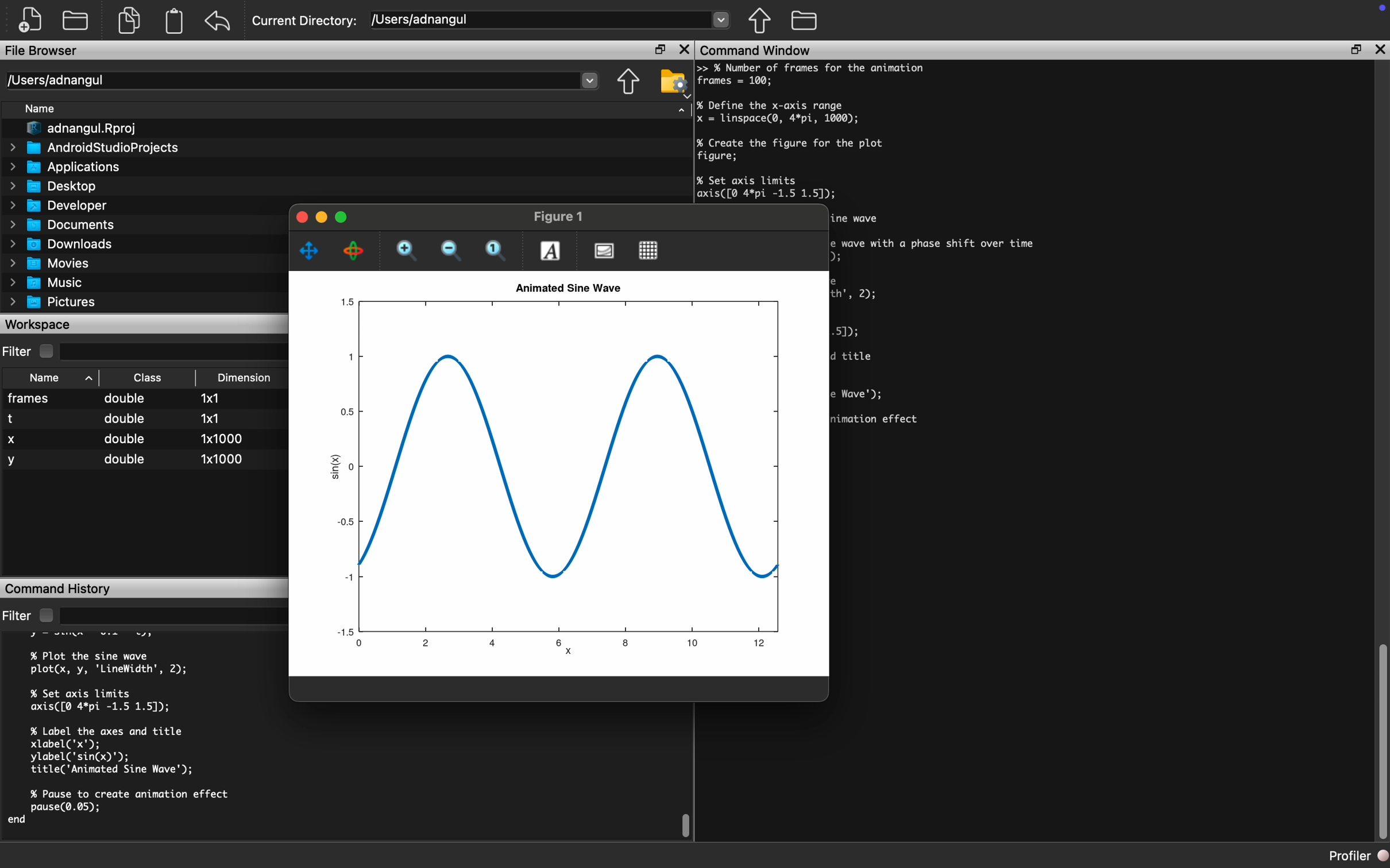  What do you see at coordinates (41, 108) in the screenshot?
I see `Name` at bounding box center [41, 108].